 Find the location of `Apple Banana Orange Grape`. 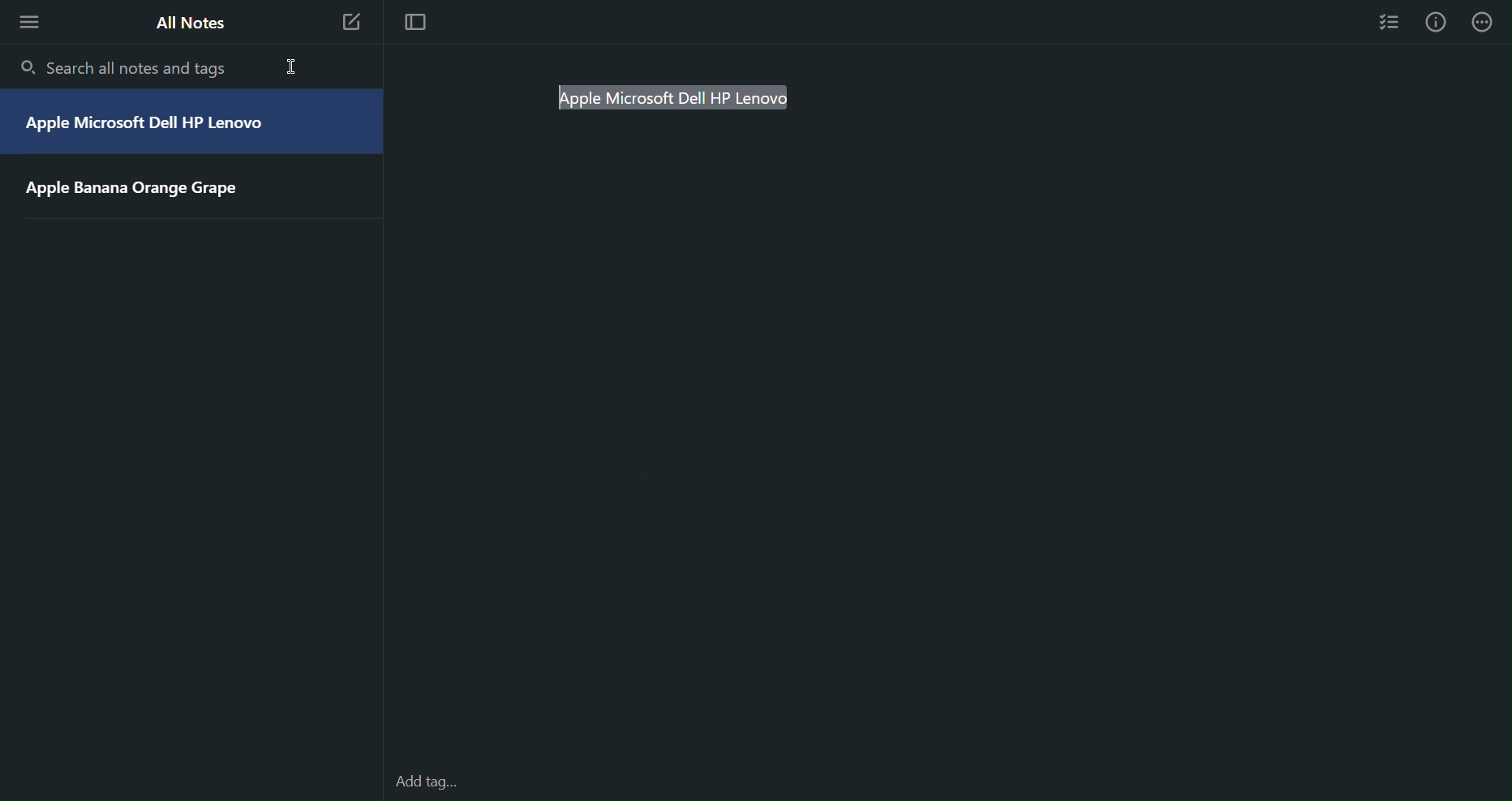

Apple Banana Orange Grape is located at coordinates (139, 191).